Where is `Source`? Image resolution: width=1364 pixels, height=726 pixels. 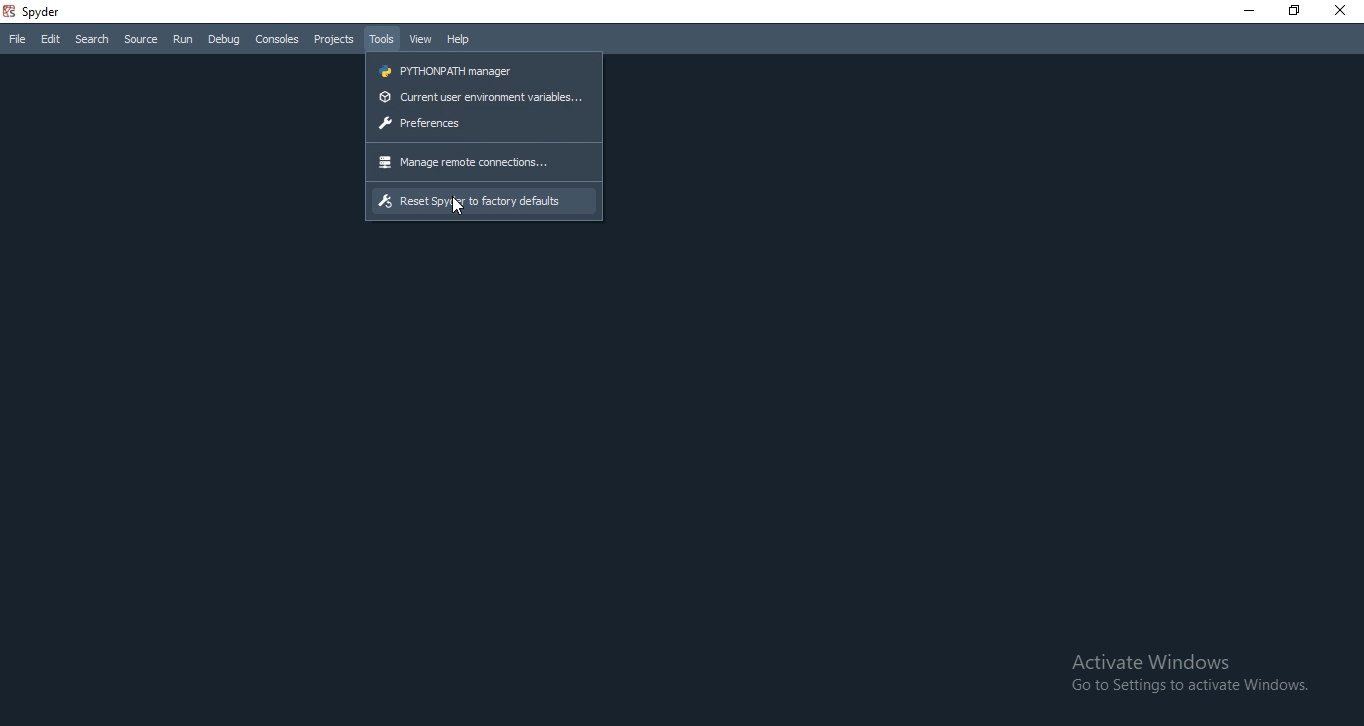
Source is located at coordinates (142, 38).